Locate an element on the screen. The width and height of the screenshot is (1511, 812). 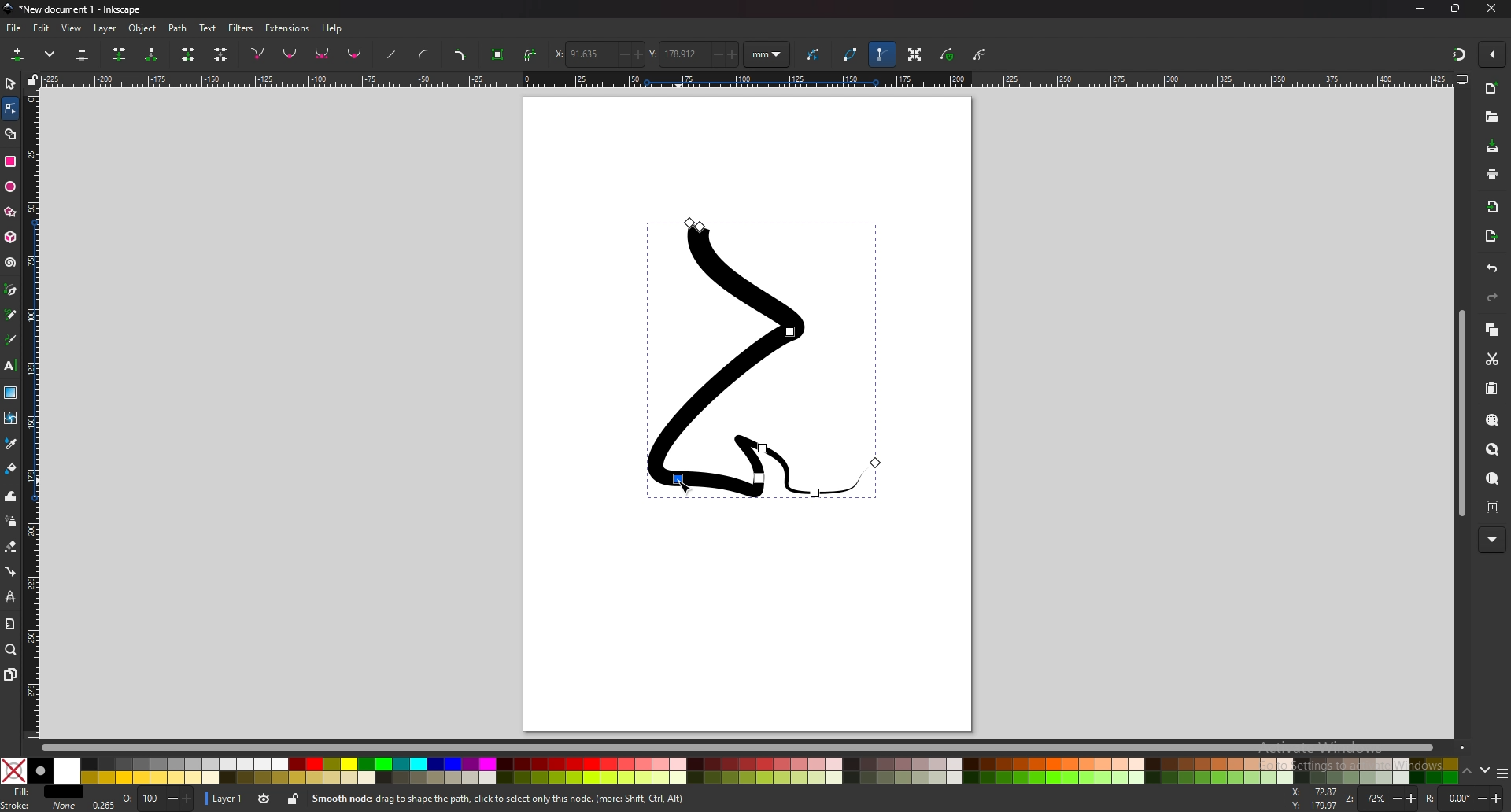
paste is located at coordinates (1492, 388).